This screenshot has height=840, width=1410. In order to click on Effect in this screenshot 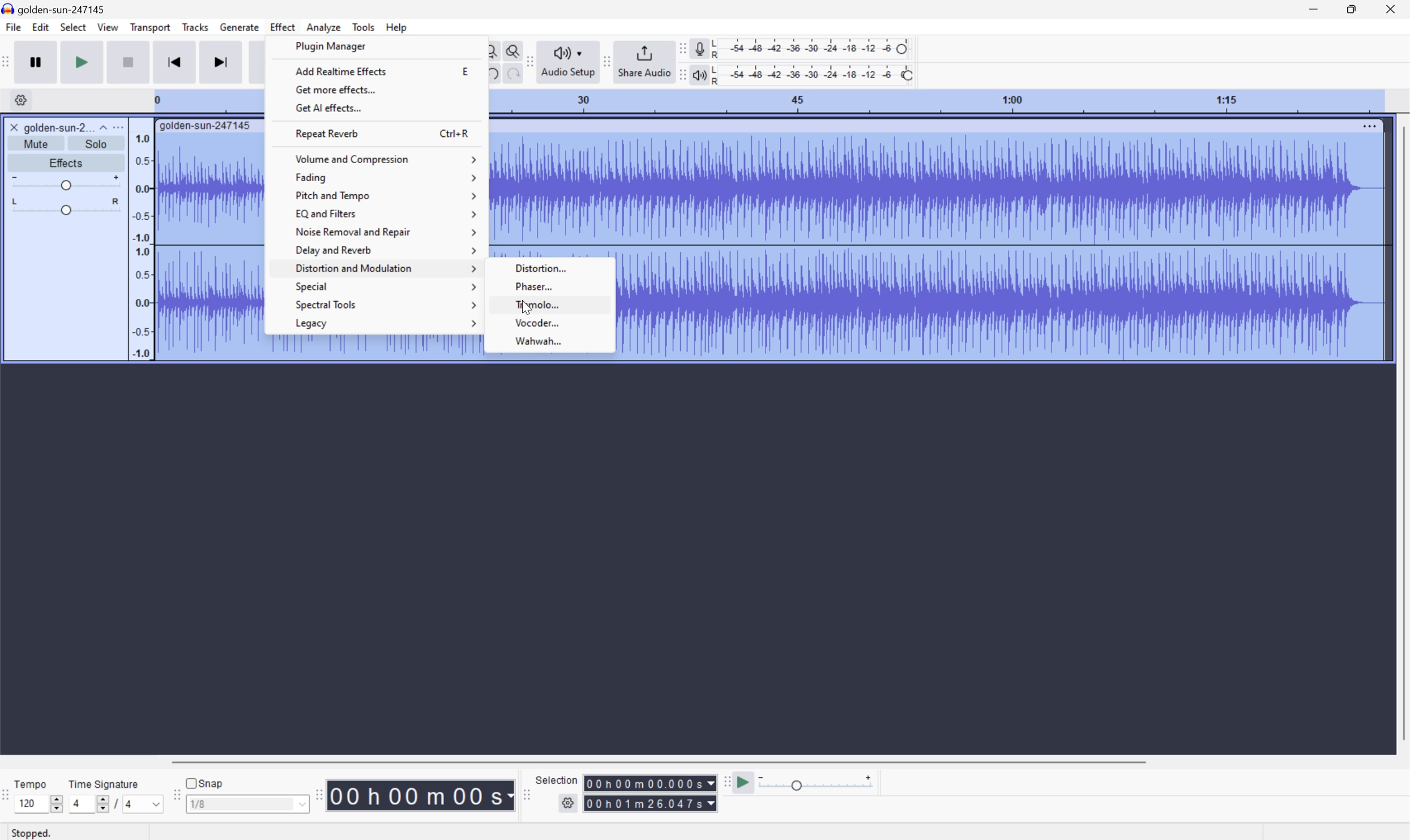, I will do `click(283, 27)`.